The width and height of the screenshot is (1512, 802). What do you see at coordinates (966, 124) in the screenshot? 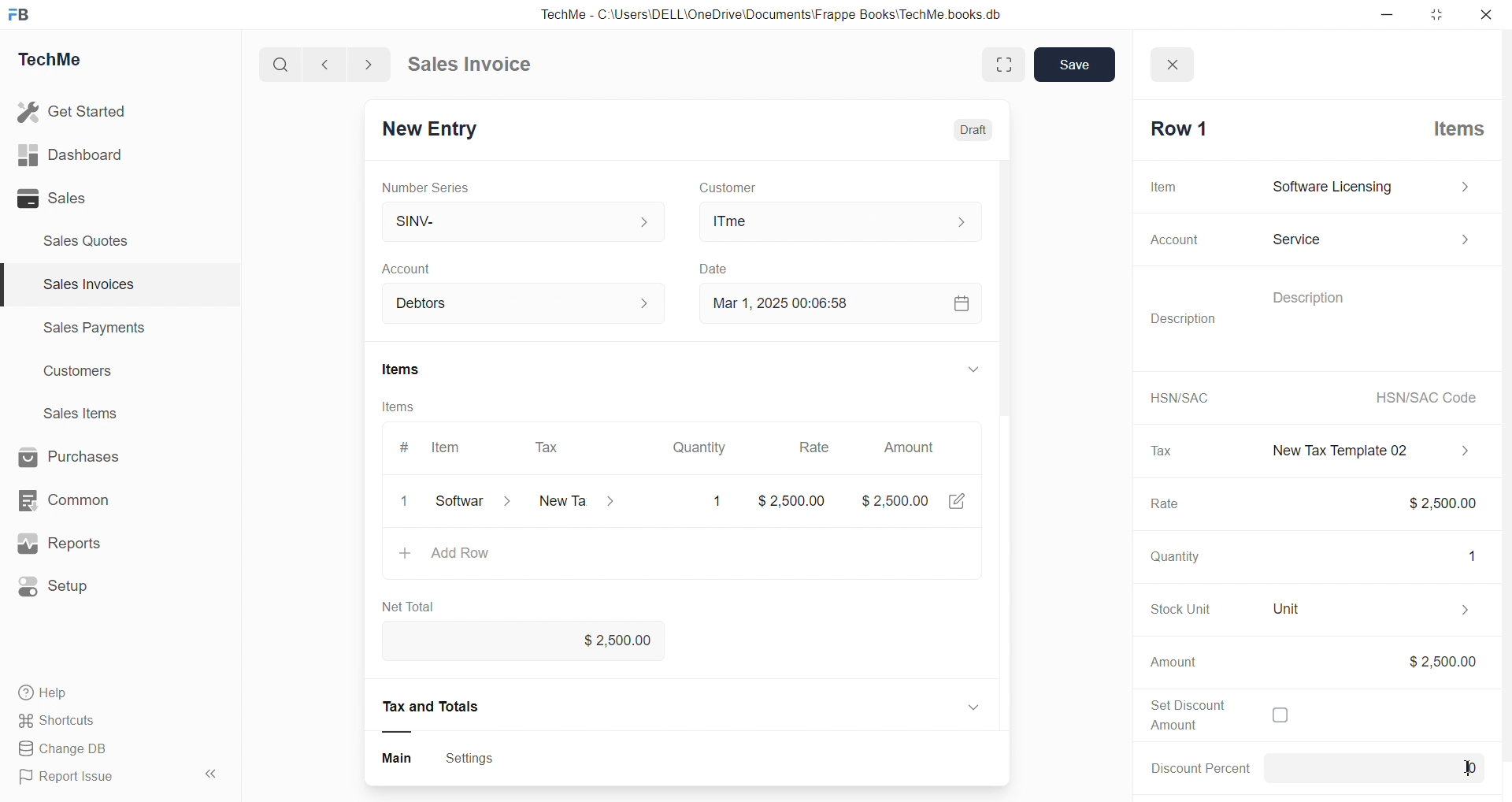
I see `Draft` at bounding box center [966, 124].